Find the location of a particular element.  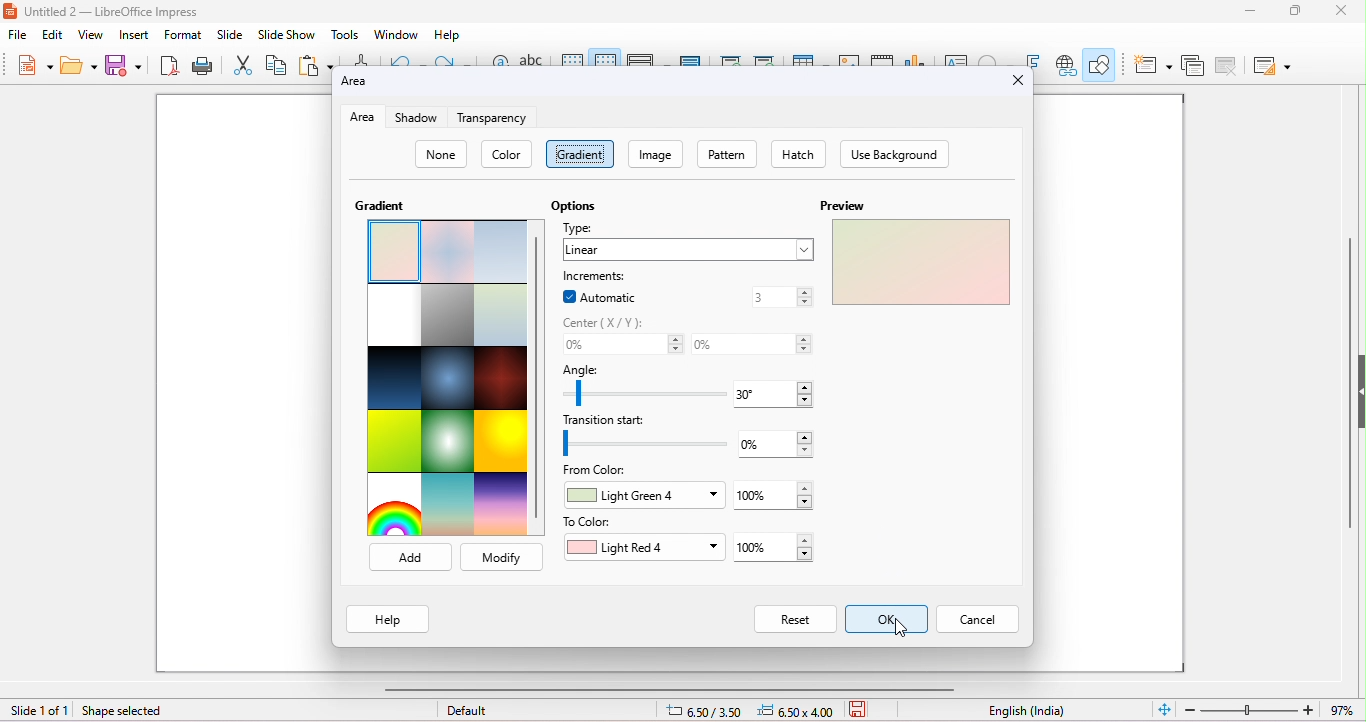

6.50x4.00 (object size) is located at coordinates (799, 711).